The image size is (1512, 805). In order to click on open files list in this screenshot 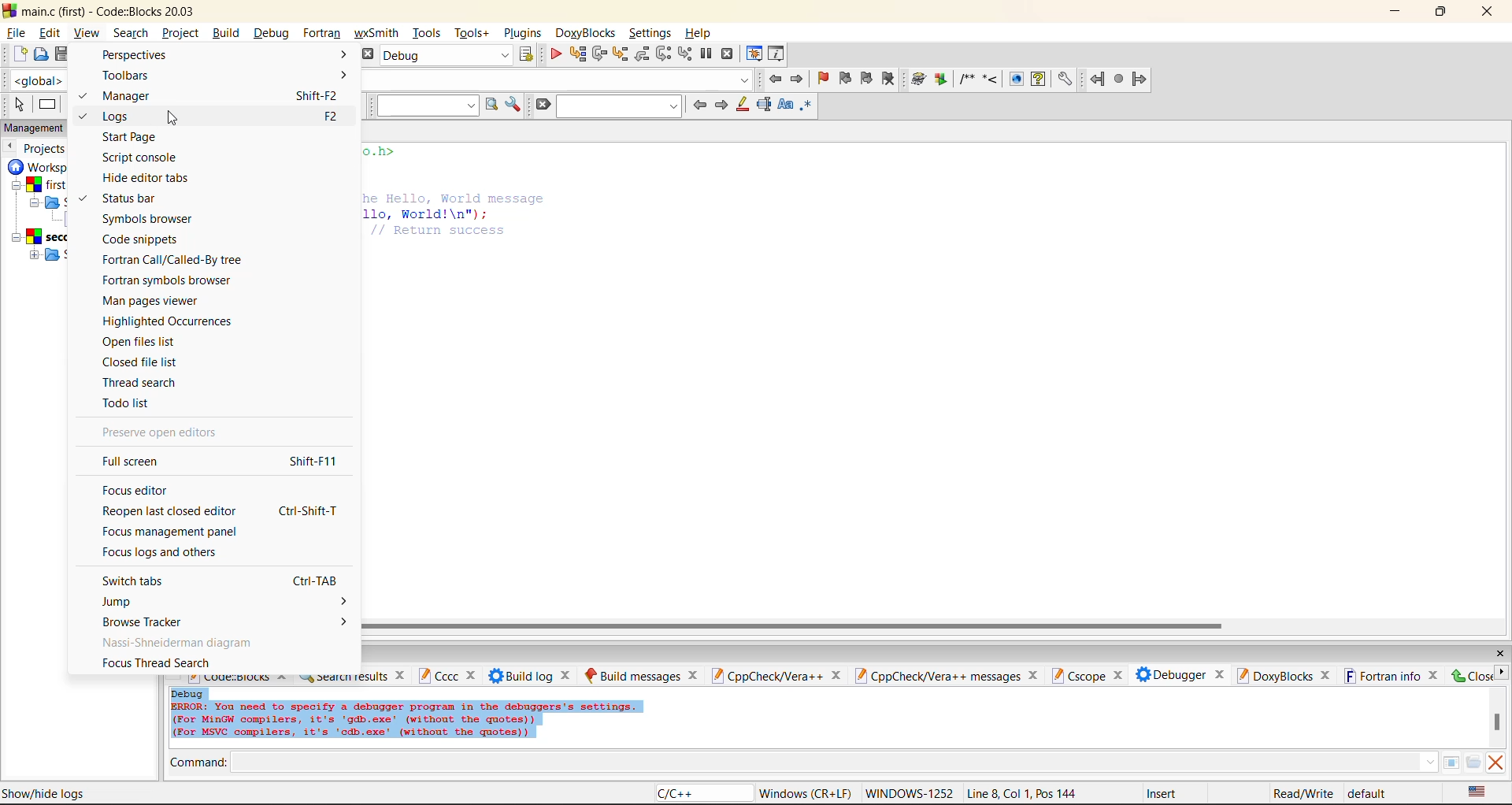, I will do `click(142, 343)`.